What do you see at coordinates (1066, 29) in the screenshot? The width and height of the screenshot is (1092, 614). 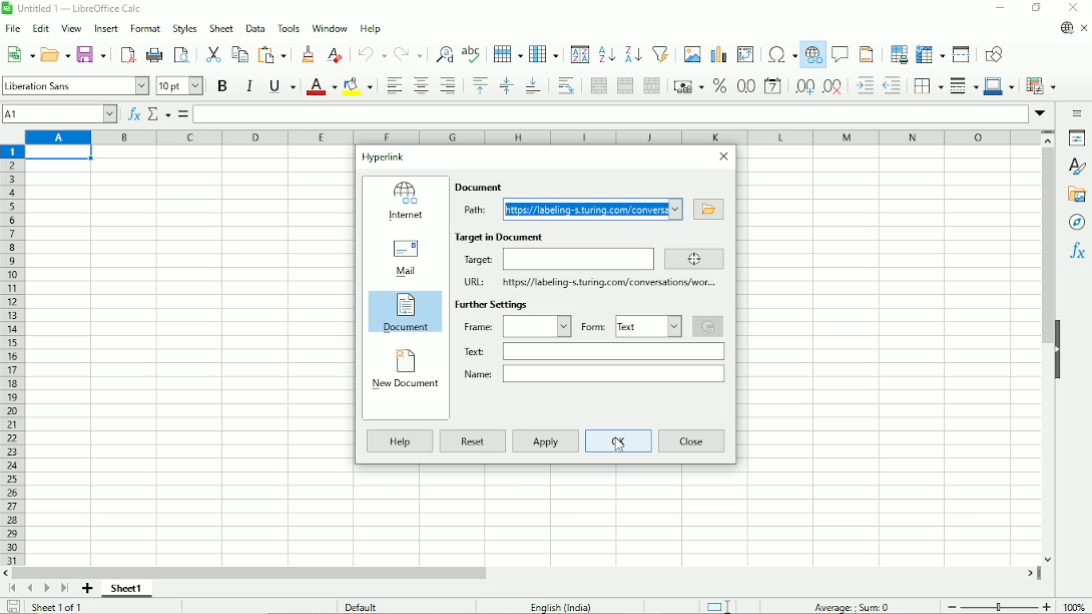 I see `Update available` at bounding box center [1066, 29].